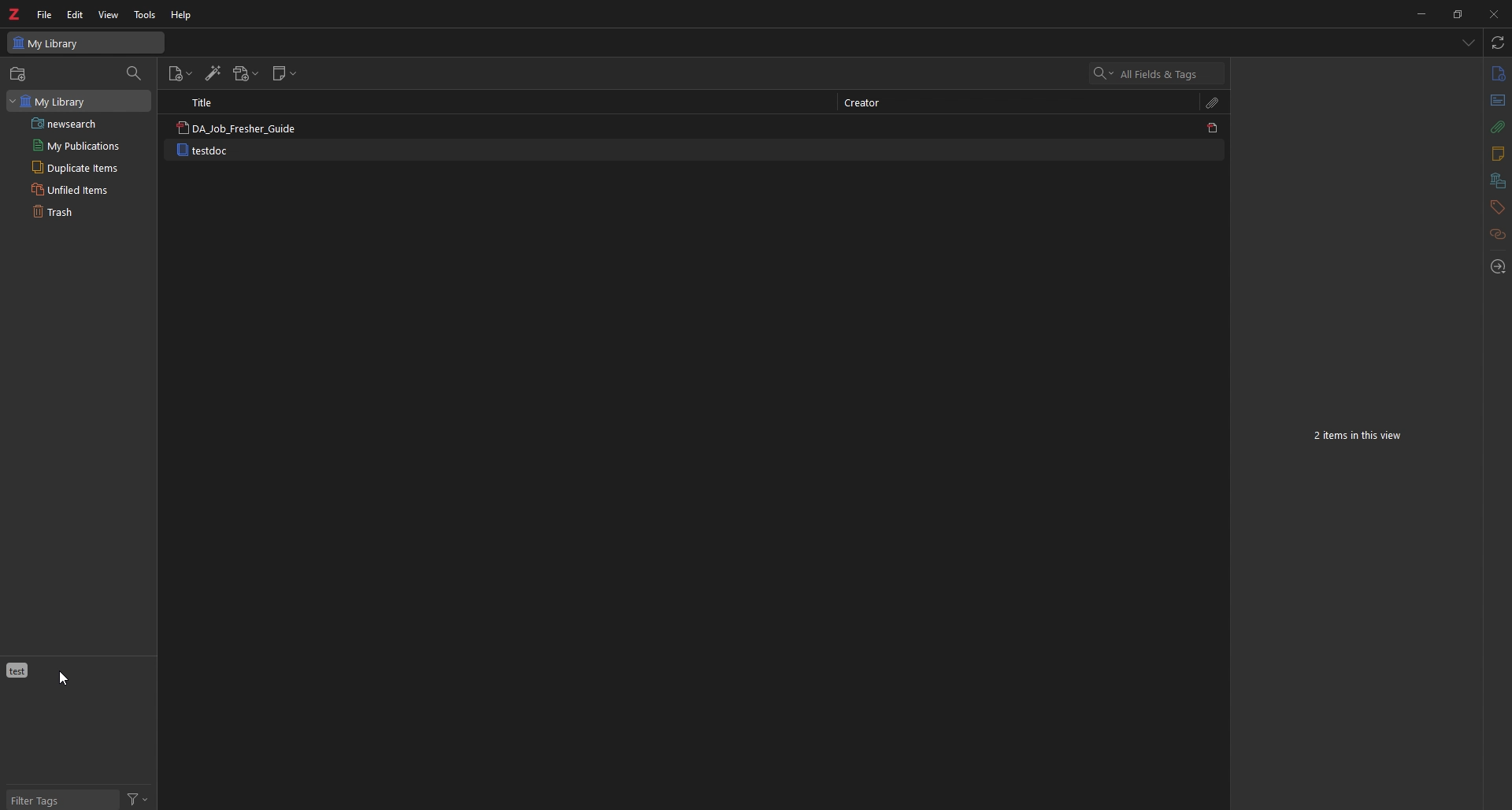  Describe the element at coordinates (873, 102) in the screenshot. I see `creator` at that location.